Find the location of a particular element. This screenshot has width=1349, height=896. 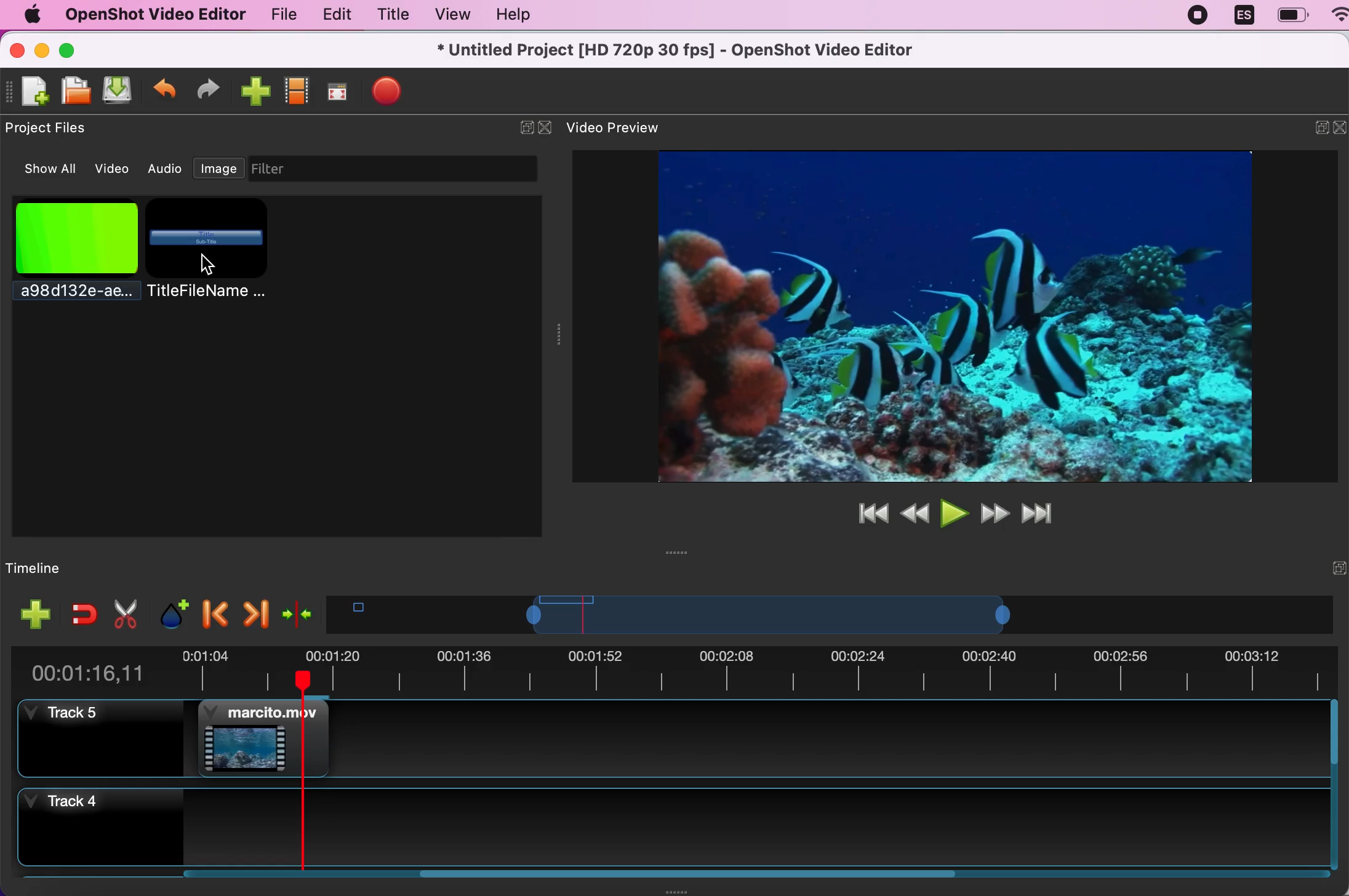

hide/expand is located at coordinates (1315, 567).